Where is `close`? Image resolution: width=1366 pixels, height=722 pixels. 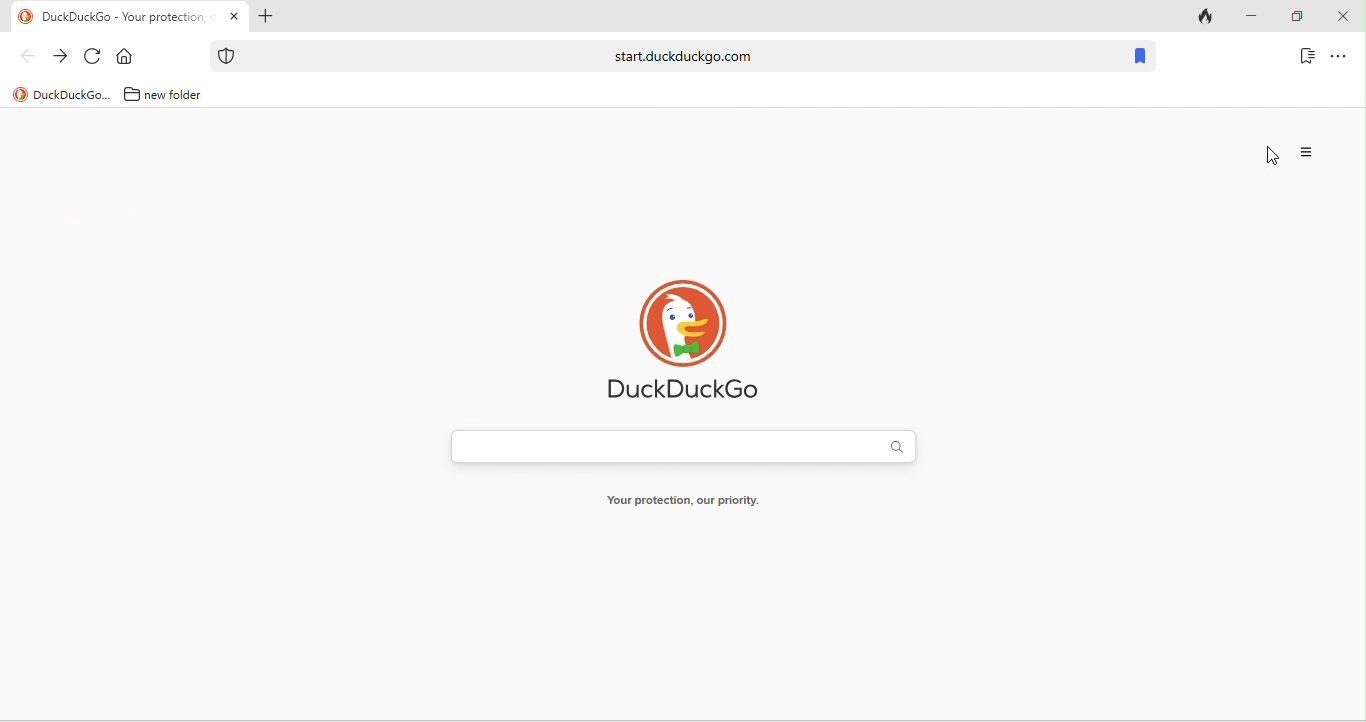
close is located at coordinates (1346, 15).